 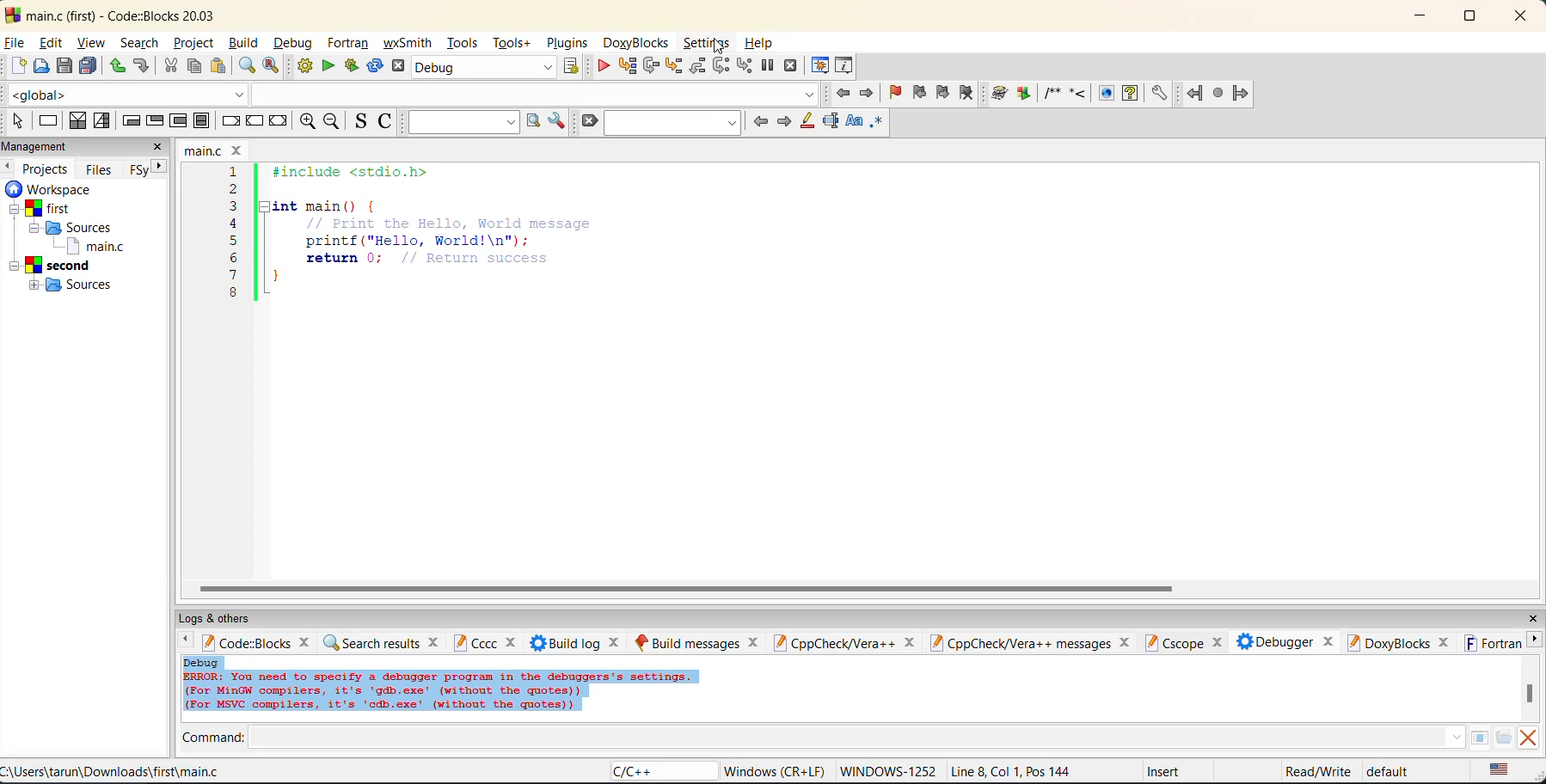 I want to click on maximize, so click(x=1469, y=17).